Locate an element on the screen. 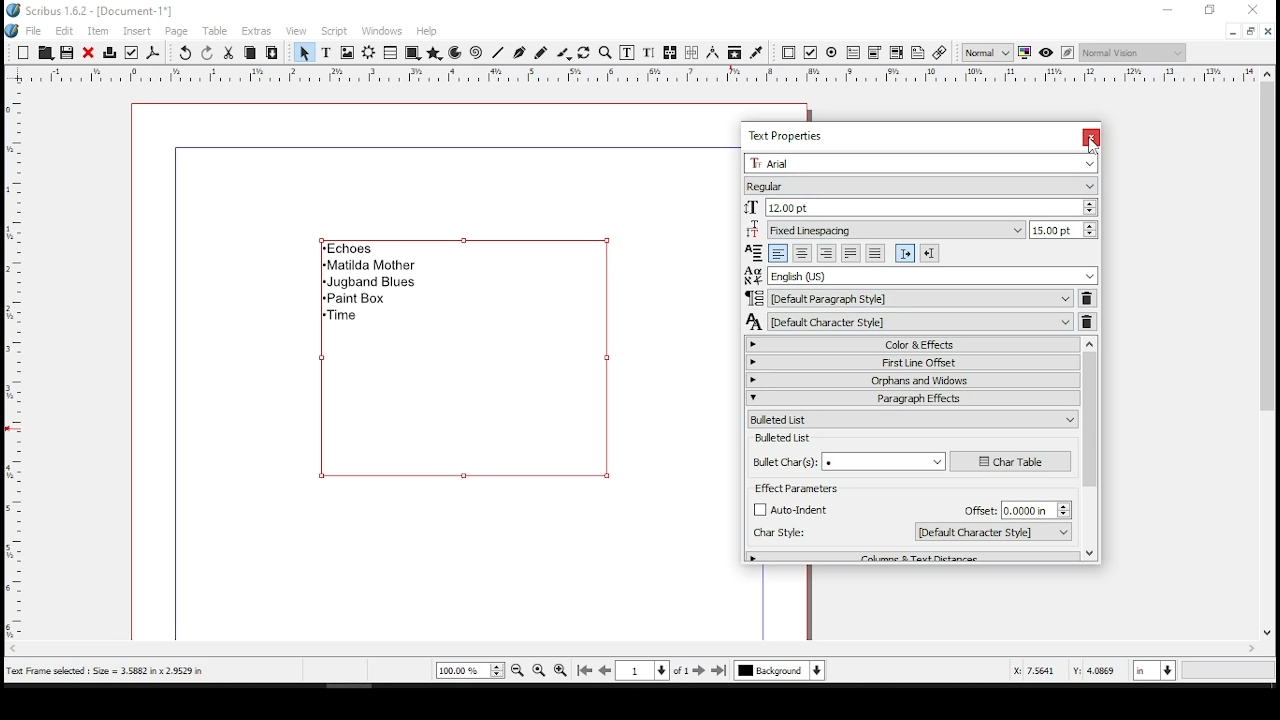 The image size is (1280, 720). zoom in or out is located at coordinates (607, 52).